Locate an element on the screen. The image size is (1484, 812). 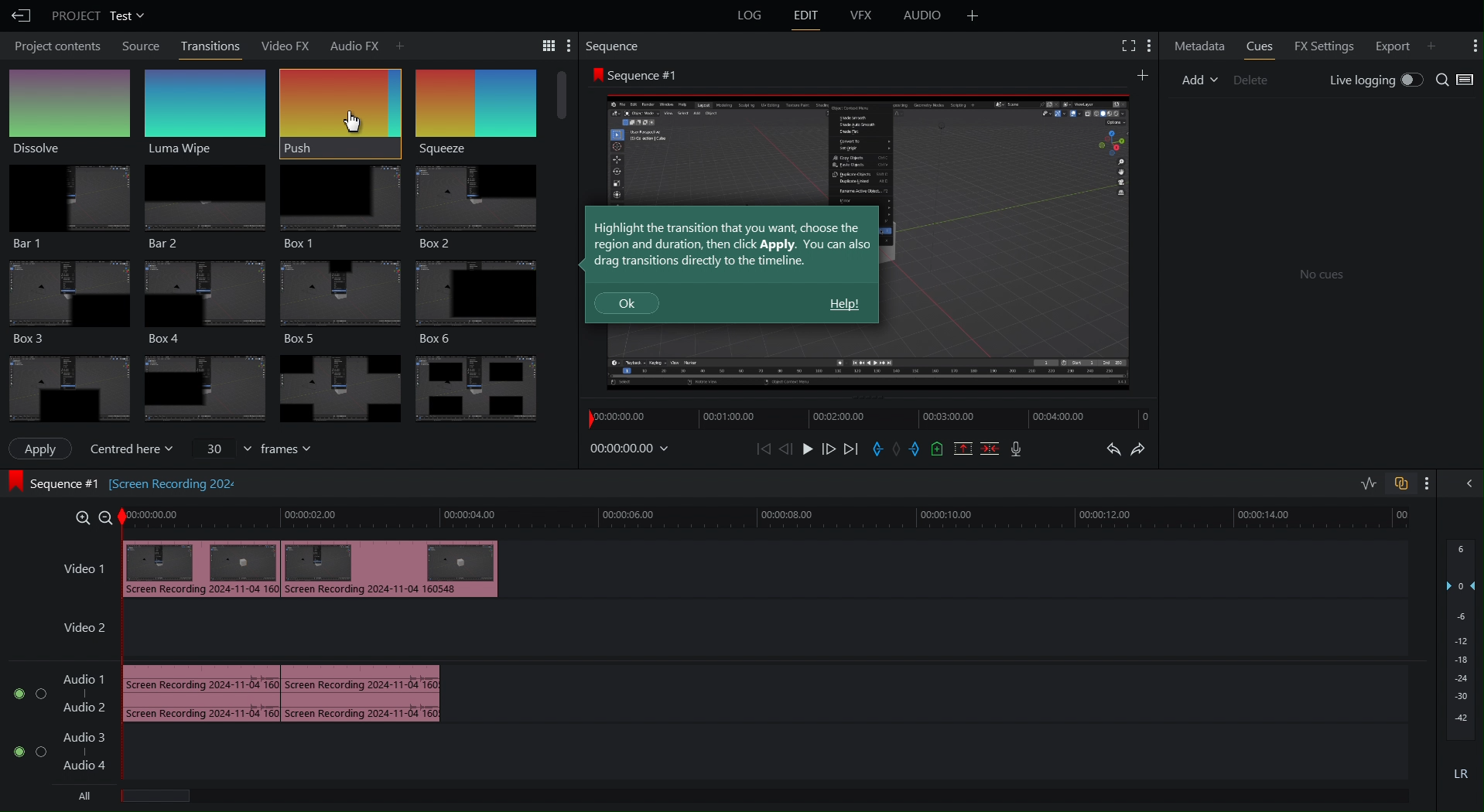
toggle is located at coordinates (39, 752).